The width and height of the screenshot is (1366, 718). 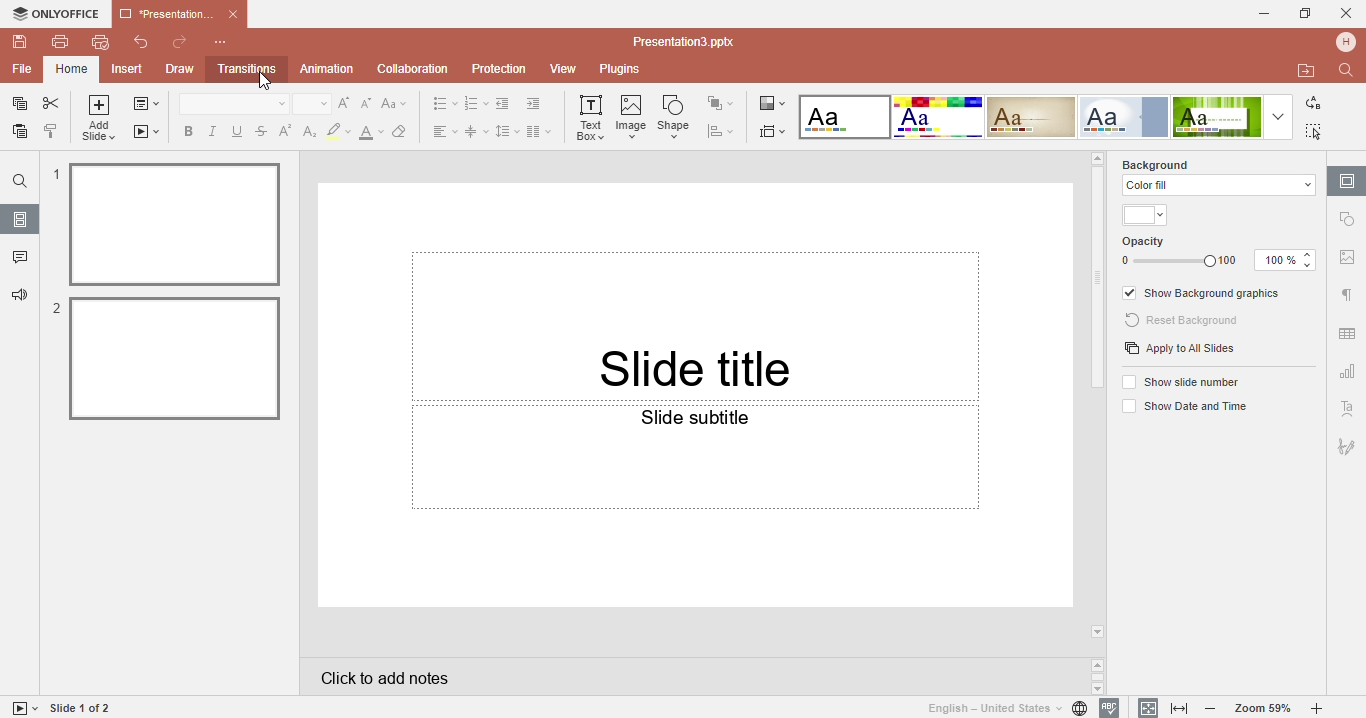 I want to click on Start slideshow, so click(x=147, y=130).